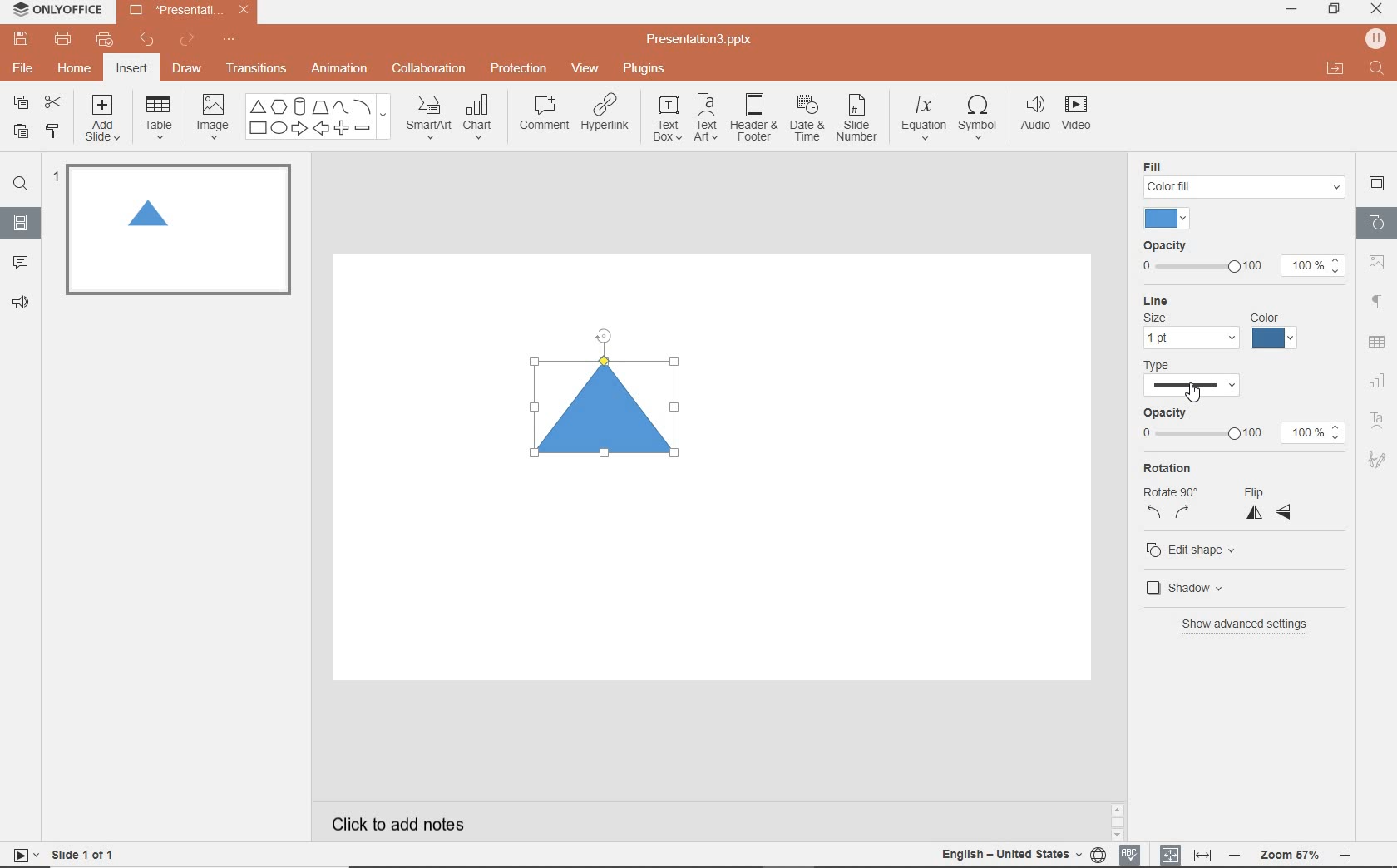 This screenshot has width=1397, height=868. What do you see at coordinates (212, 118) in the screenshot?
I see `IMAGE` at bounding box center [212, 118].